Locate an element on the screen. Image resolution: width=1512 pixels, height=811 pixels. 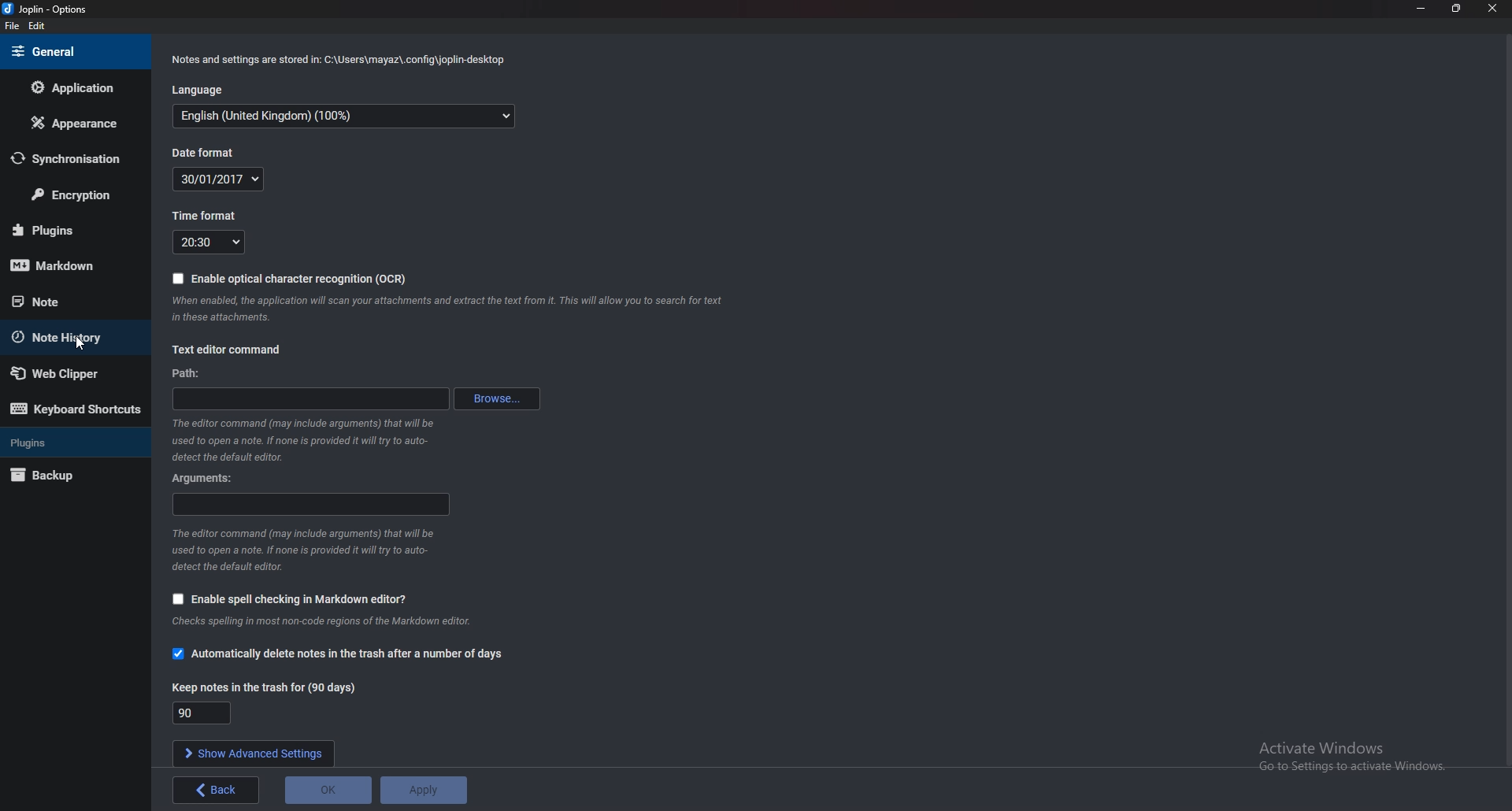
Enable optical character ocr is located at coordinates (295, 280).